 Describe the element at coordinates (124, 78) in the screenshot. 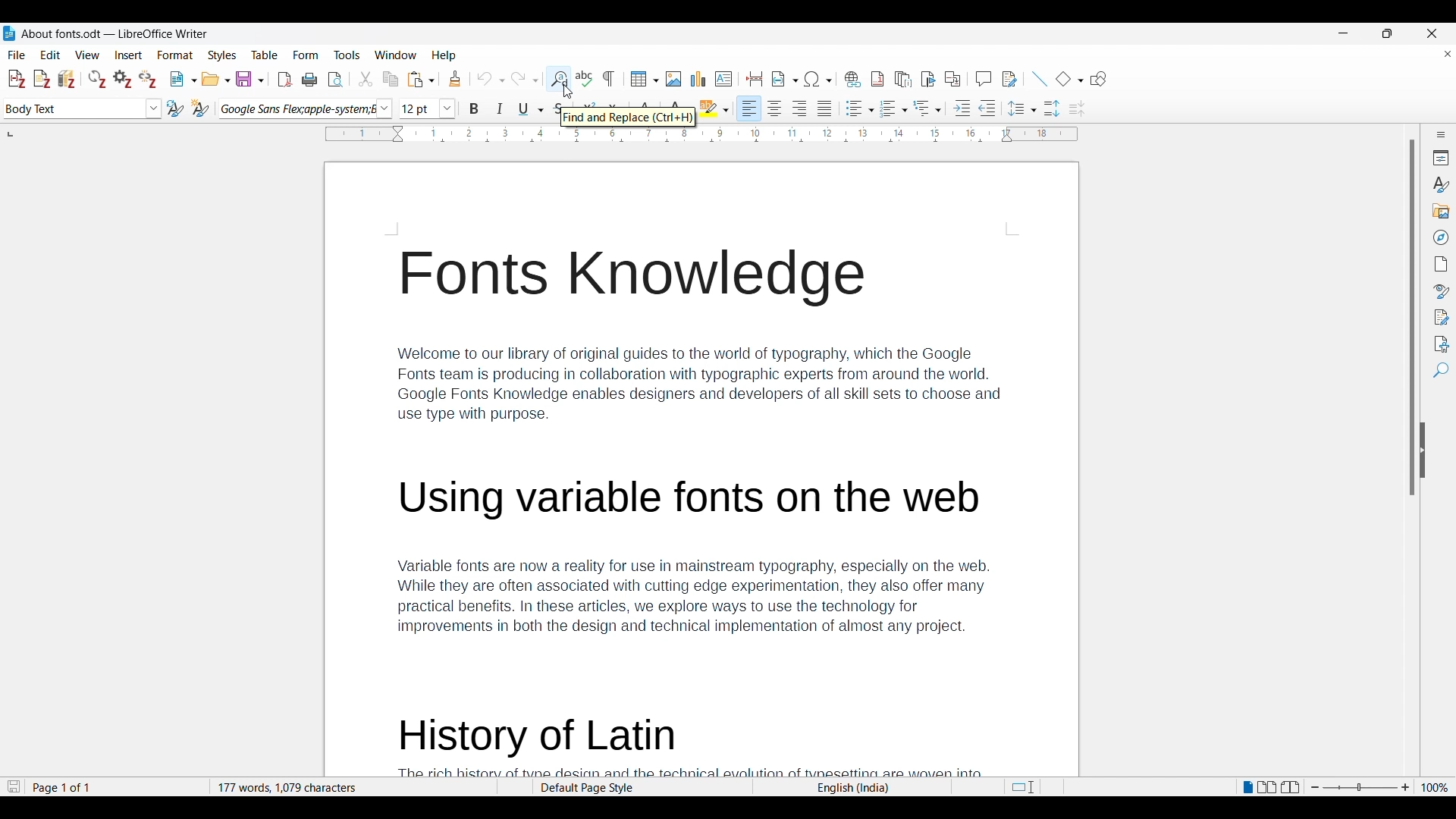

I see `Set document preferences` at that location.